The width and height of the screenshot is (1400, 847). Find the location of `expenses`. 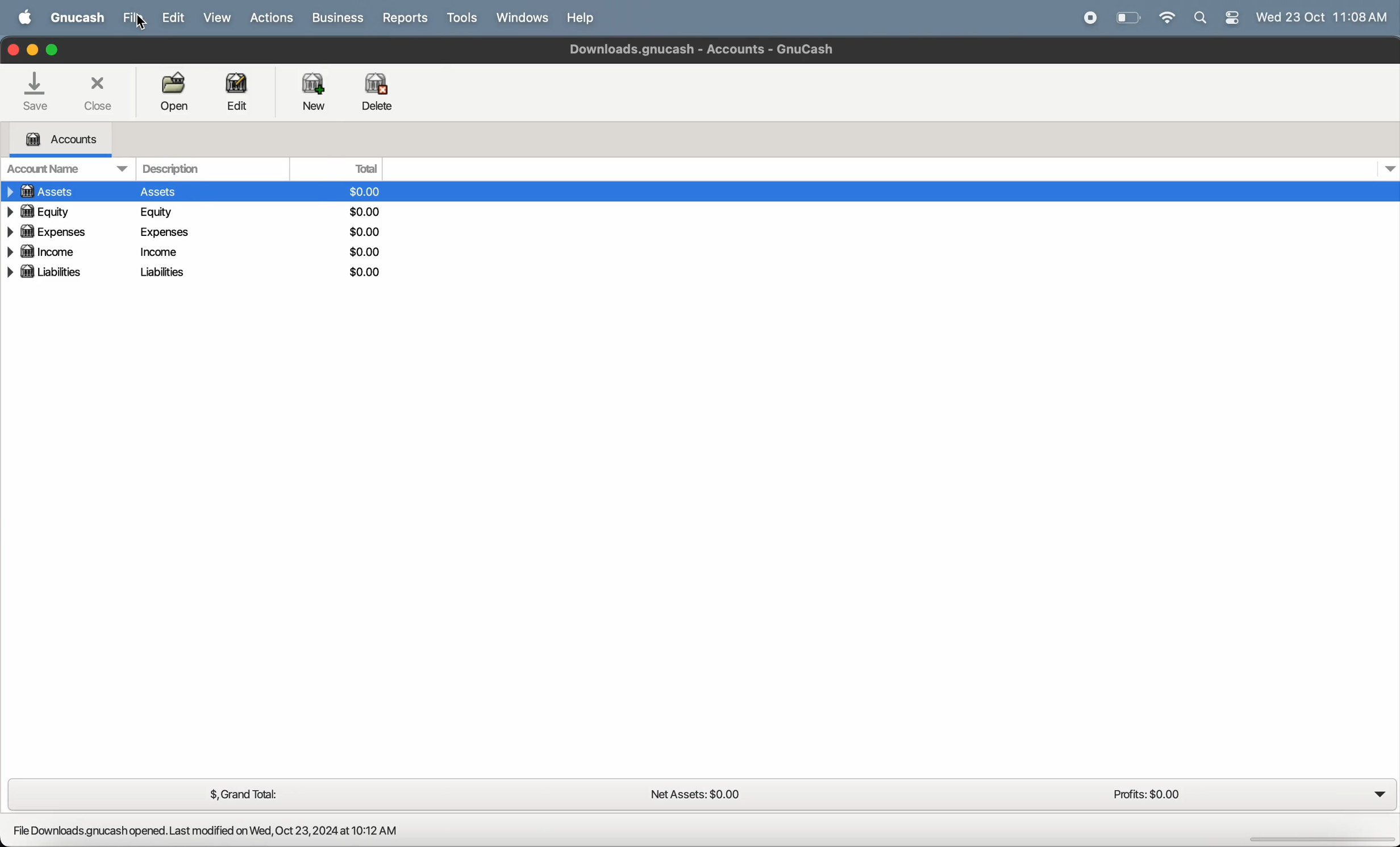

expenses is located at coordinates (168, 234).